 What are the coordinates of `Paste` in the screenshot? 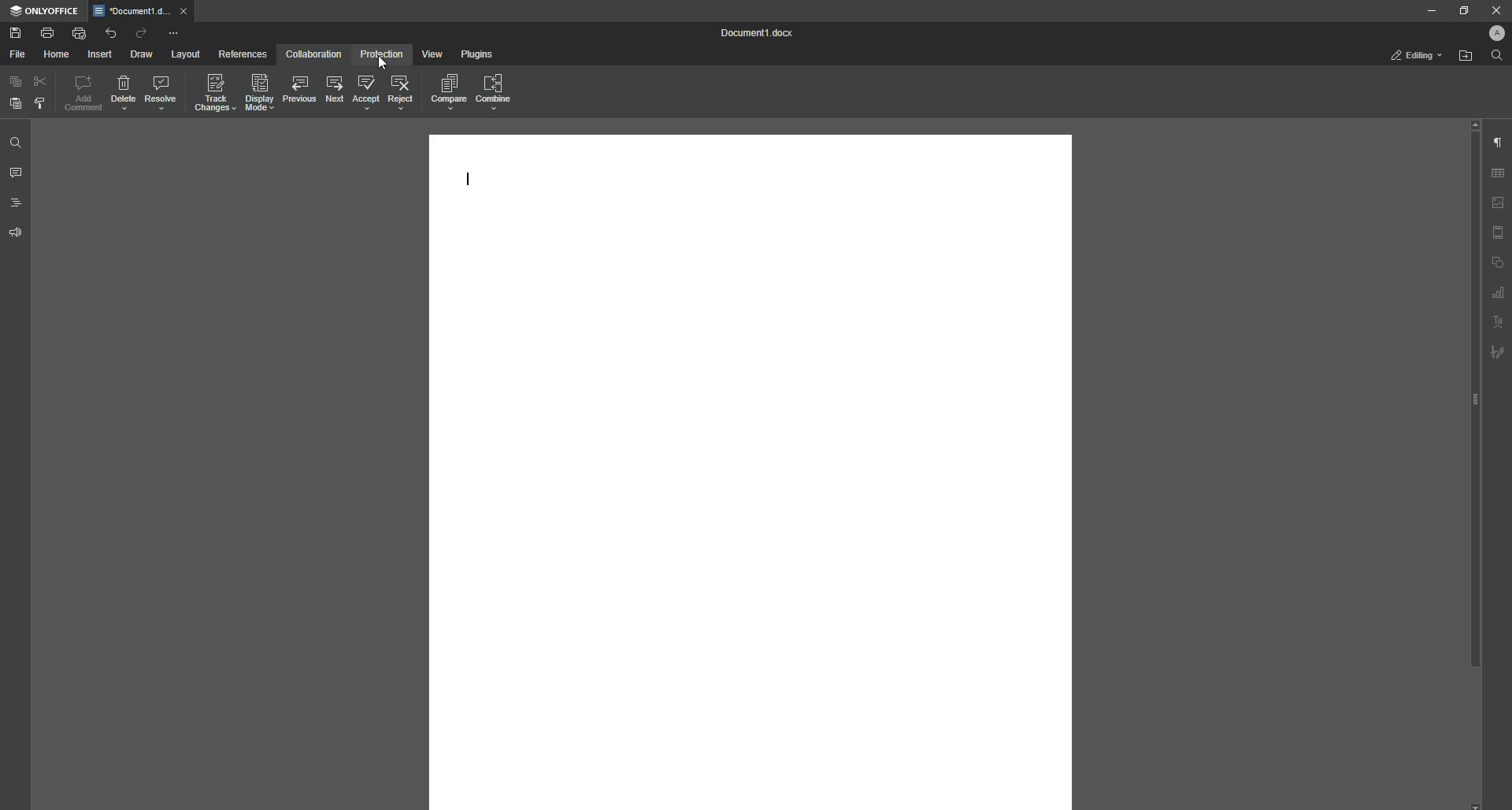 It's located at (13, 103).